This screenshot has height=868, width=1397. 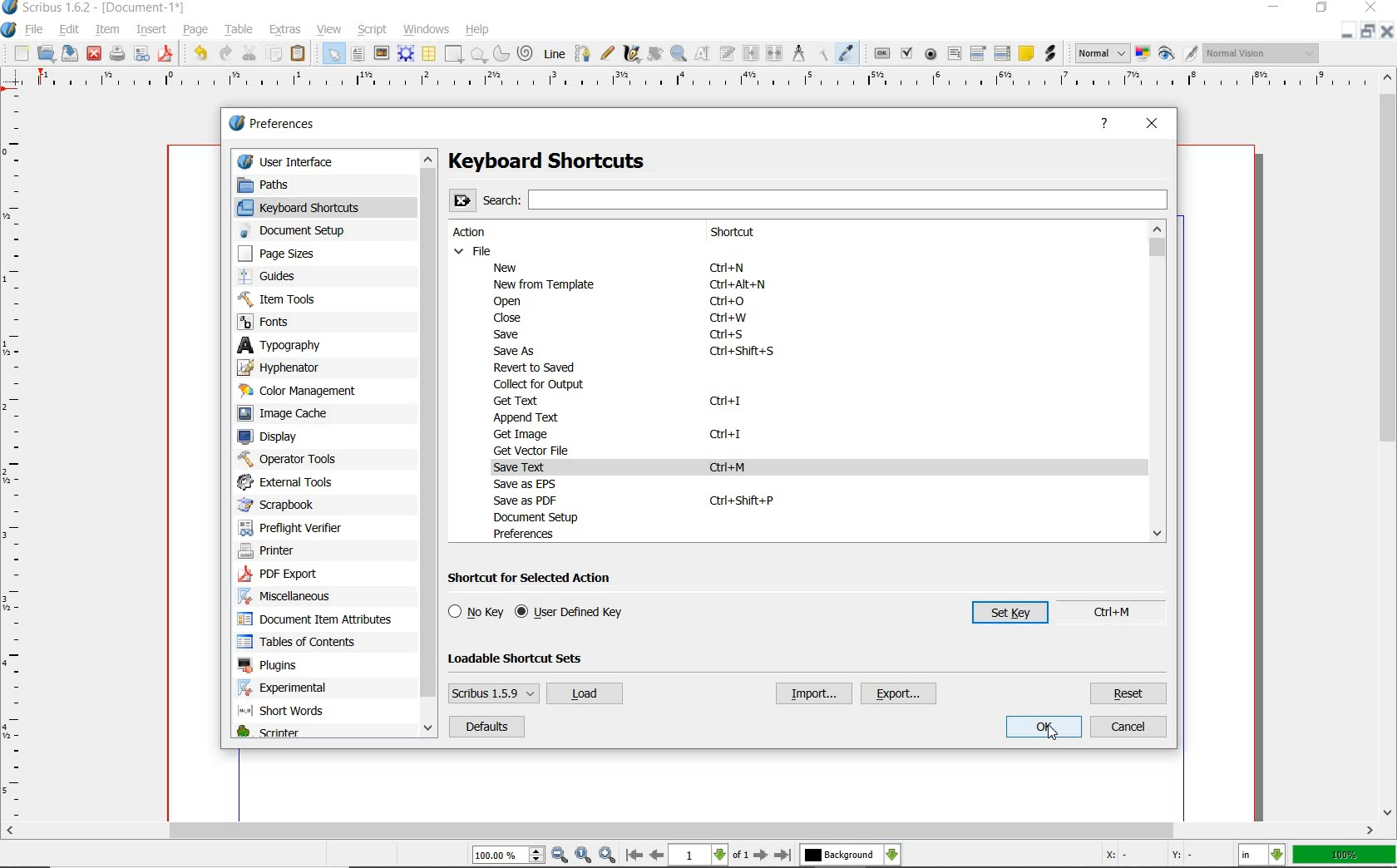 I want to click on Ctrl + S, so click(x=728, y=335).